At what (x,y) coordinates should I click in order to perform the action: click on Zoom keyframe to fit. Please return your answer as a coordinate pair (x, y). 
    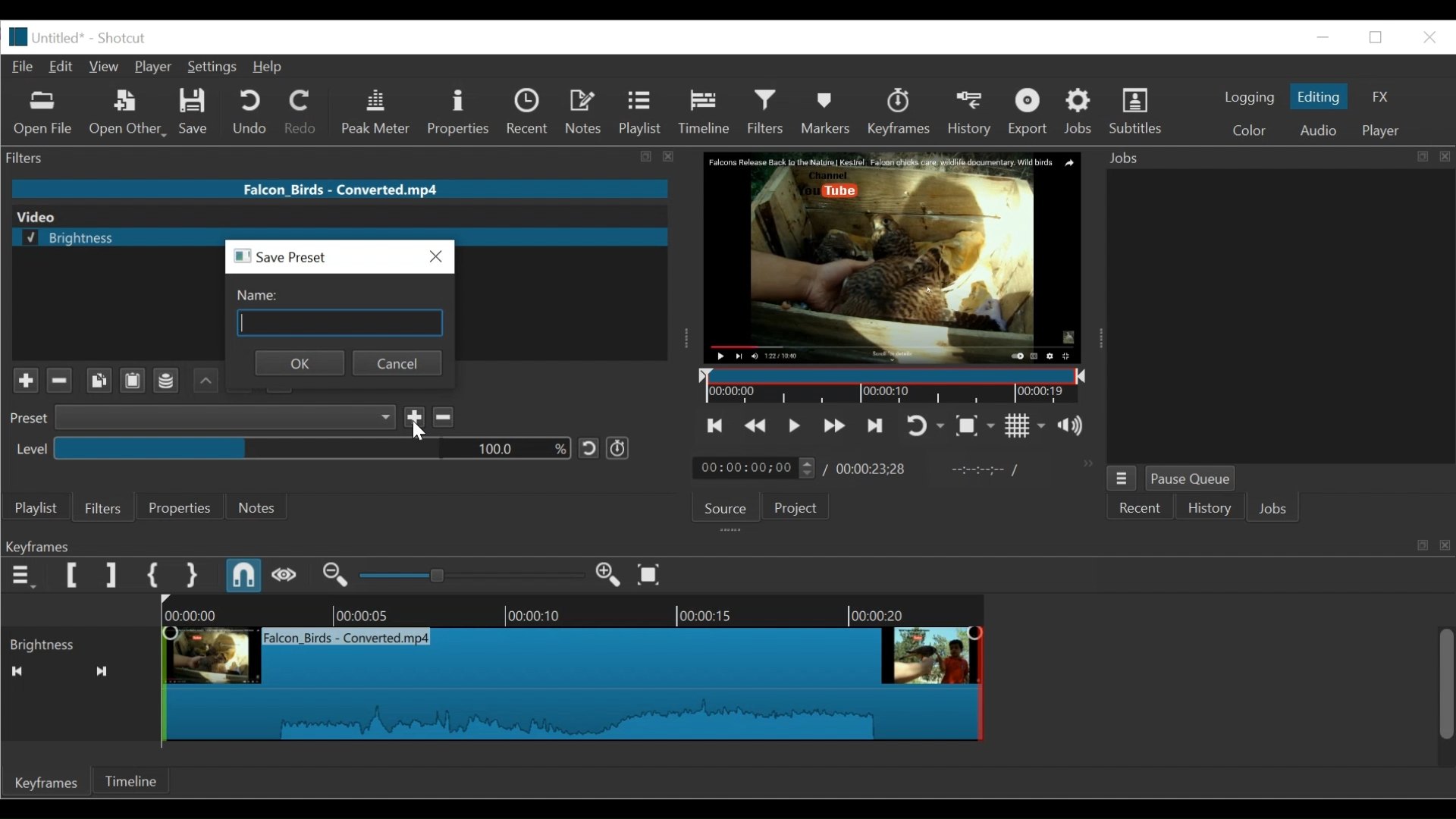
    Looking at the image, I should click on (653, 573).